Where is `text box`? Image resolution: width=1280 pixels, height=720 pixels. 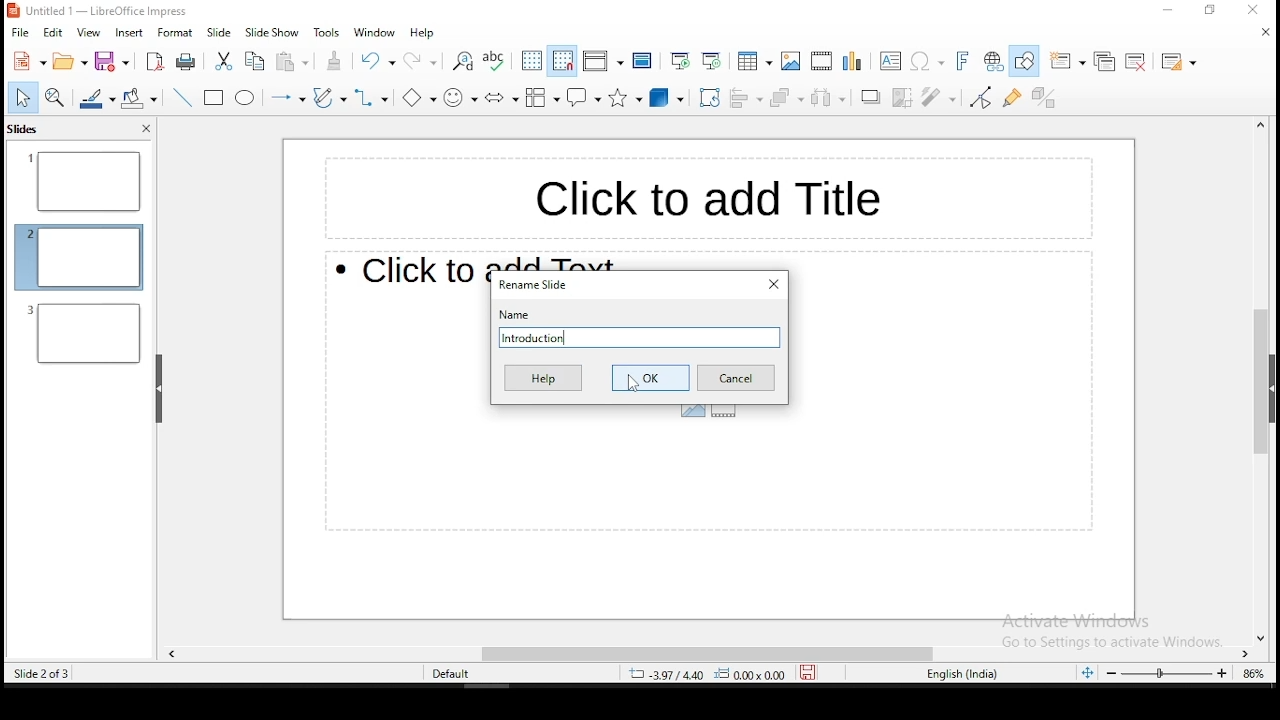
text box is located at coordinates (888, 61).